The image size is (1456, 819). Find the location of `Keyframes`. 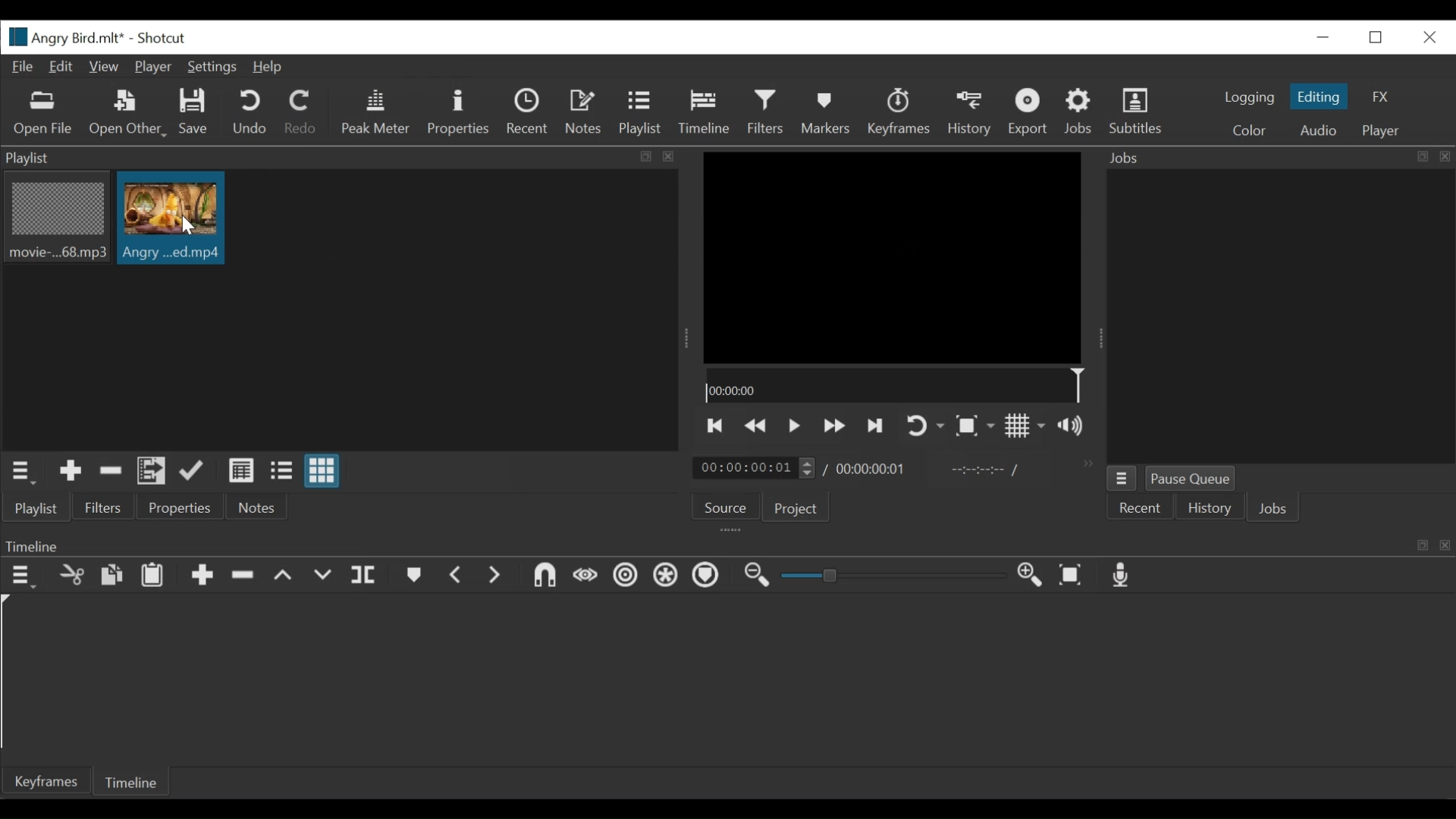

Keyframes is located at coordinates (899, 113).